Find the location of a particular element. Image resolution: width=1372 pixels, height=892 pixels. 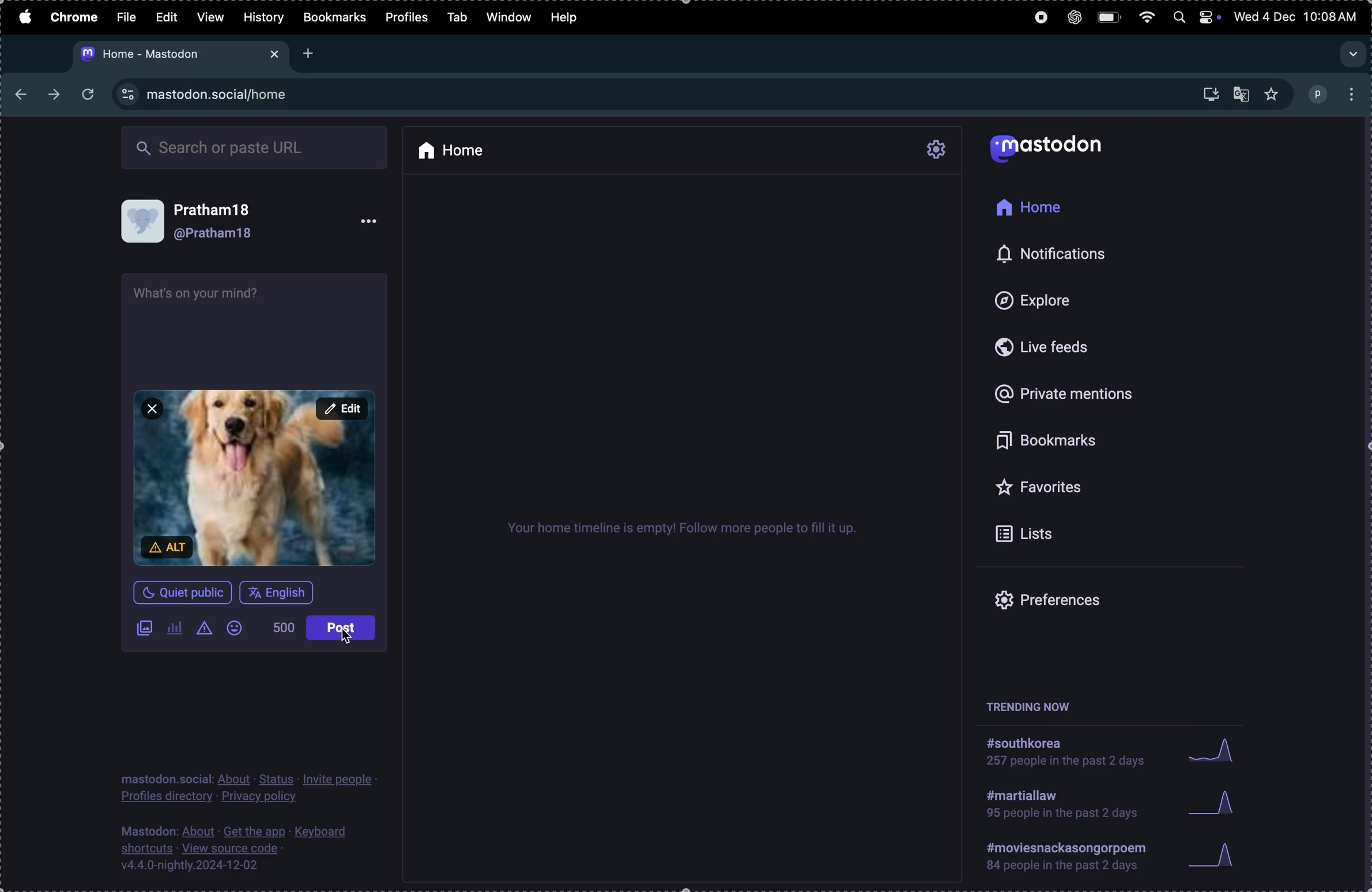

profile is located at coordinates (1335, 92).